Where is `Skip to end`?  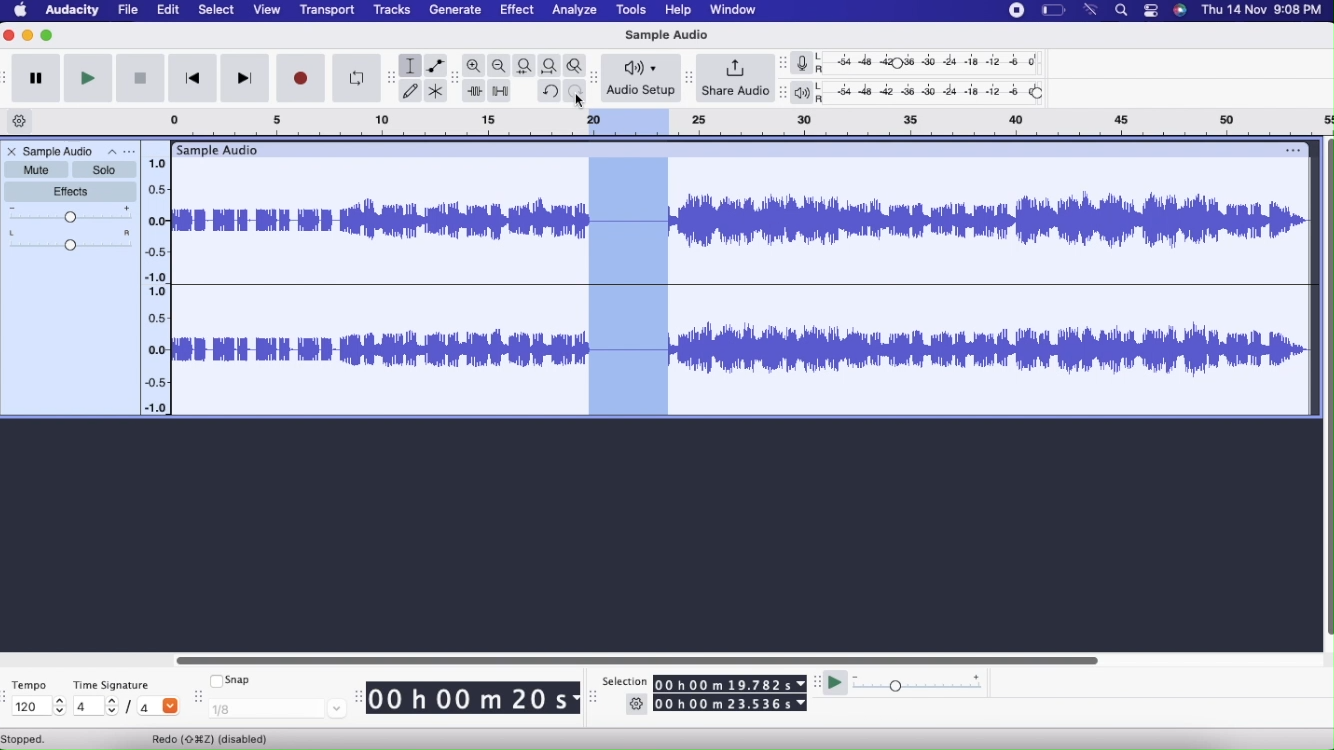
Skip to end is located at coordinates (247, 79).